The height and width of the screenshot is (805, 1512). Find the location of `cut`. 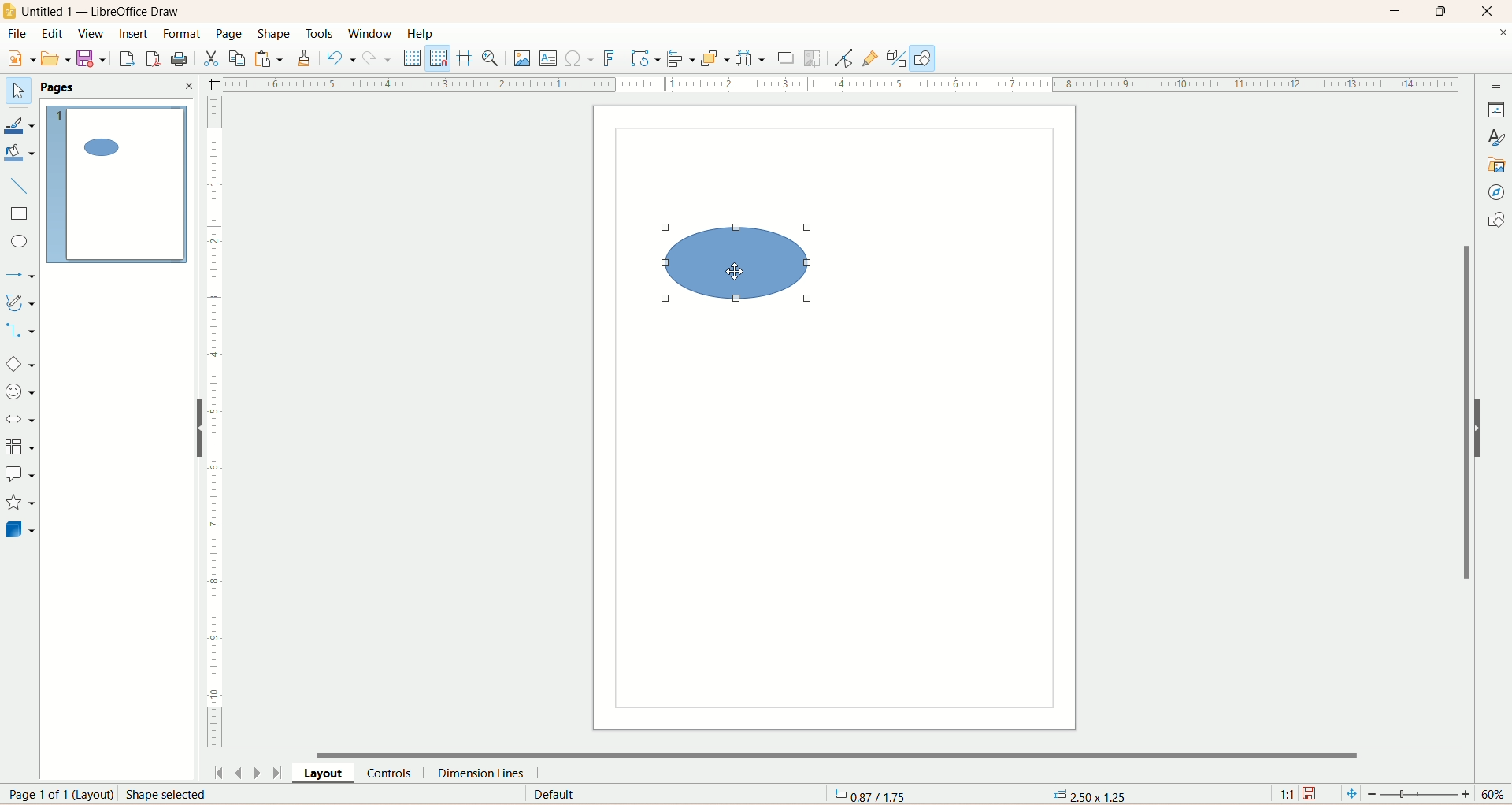

cut is located at coordinates (213, 58).